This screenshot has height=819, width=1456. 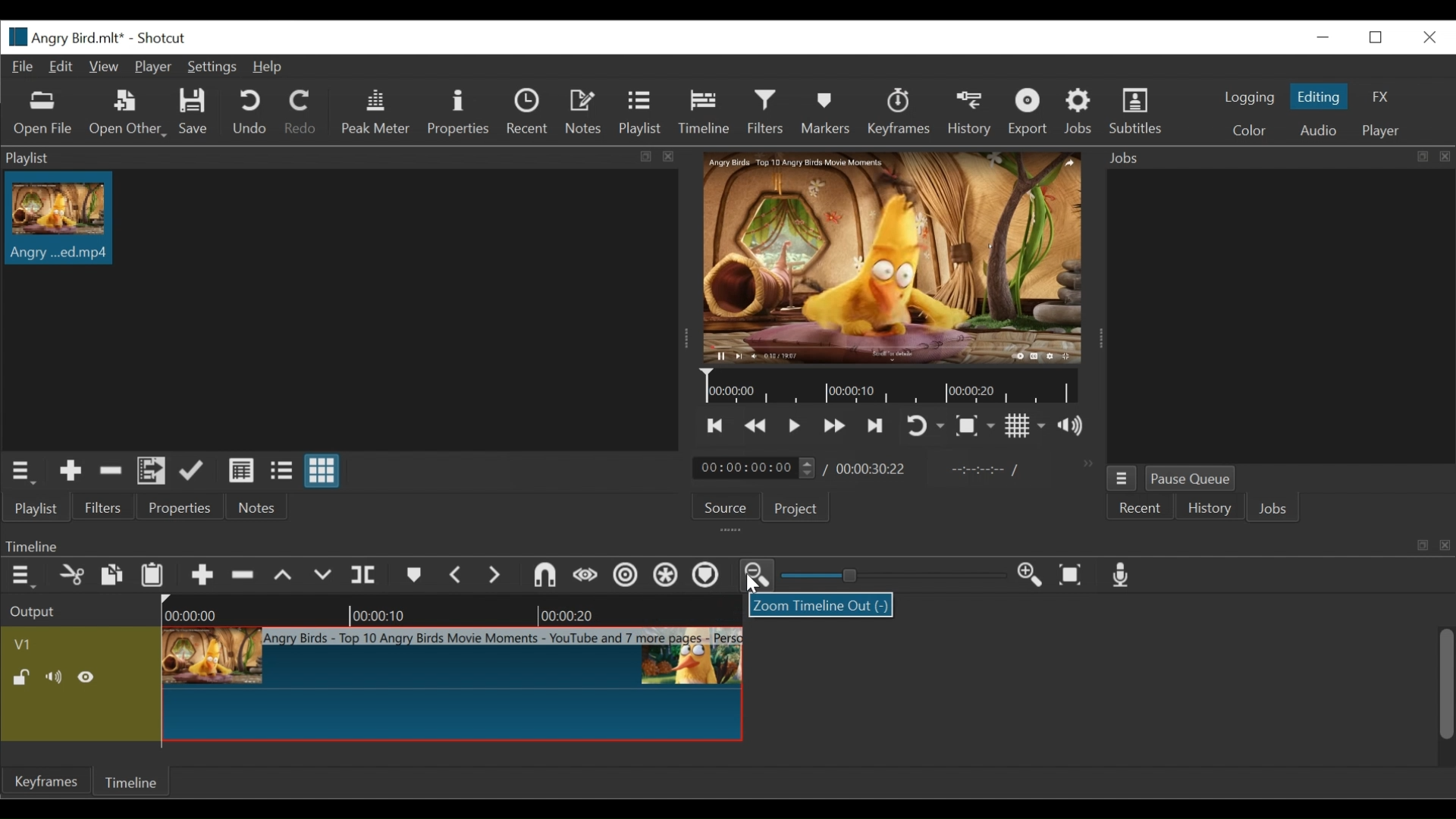 I want to click on Toggle play or pause, so click(x=798, y=426).